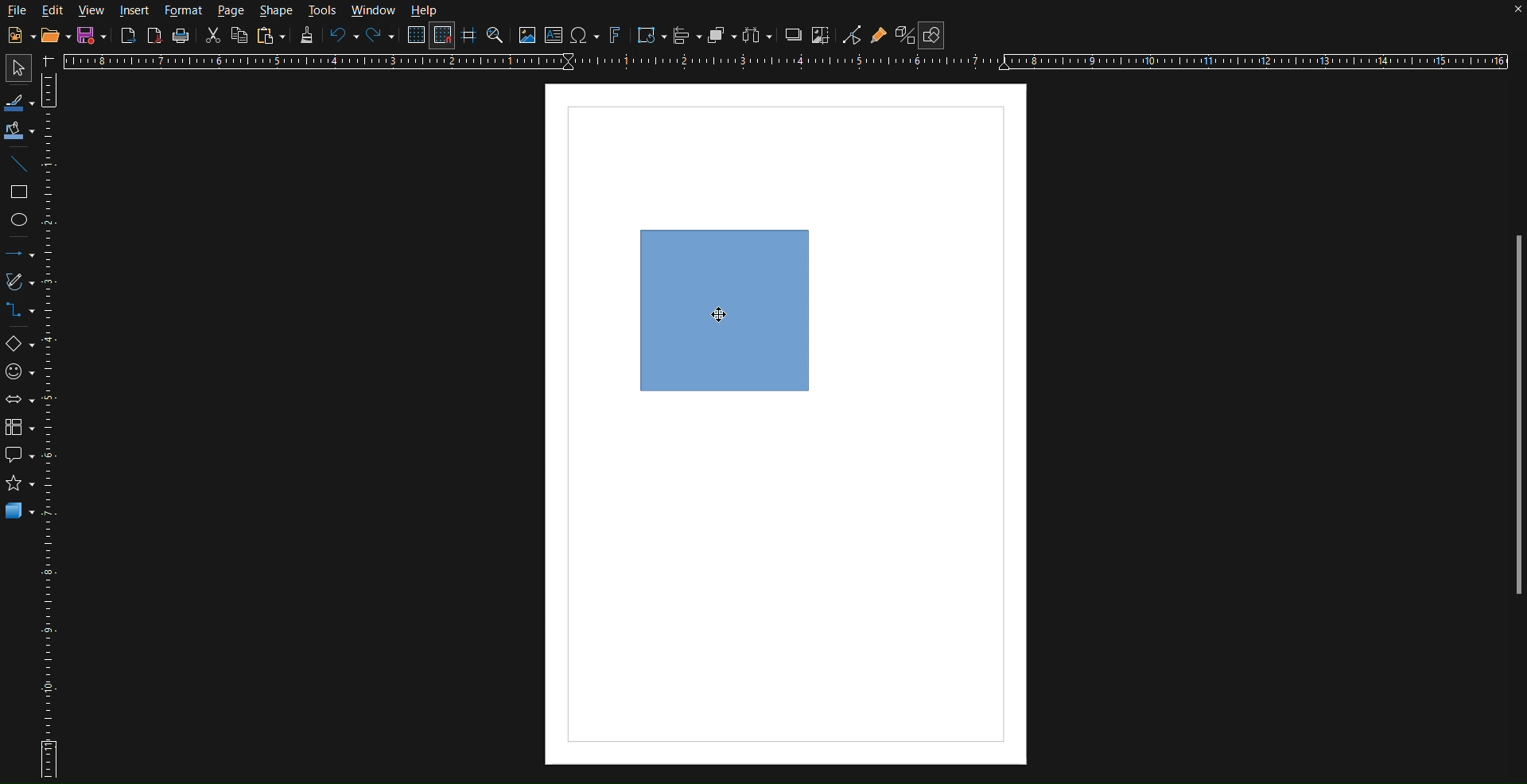 The height and width of the screenshot is (784, 1527). What do you see at coordinates (18, 285) in the screenshot?
I see `Vectors` at bounding box center [18, 285].